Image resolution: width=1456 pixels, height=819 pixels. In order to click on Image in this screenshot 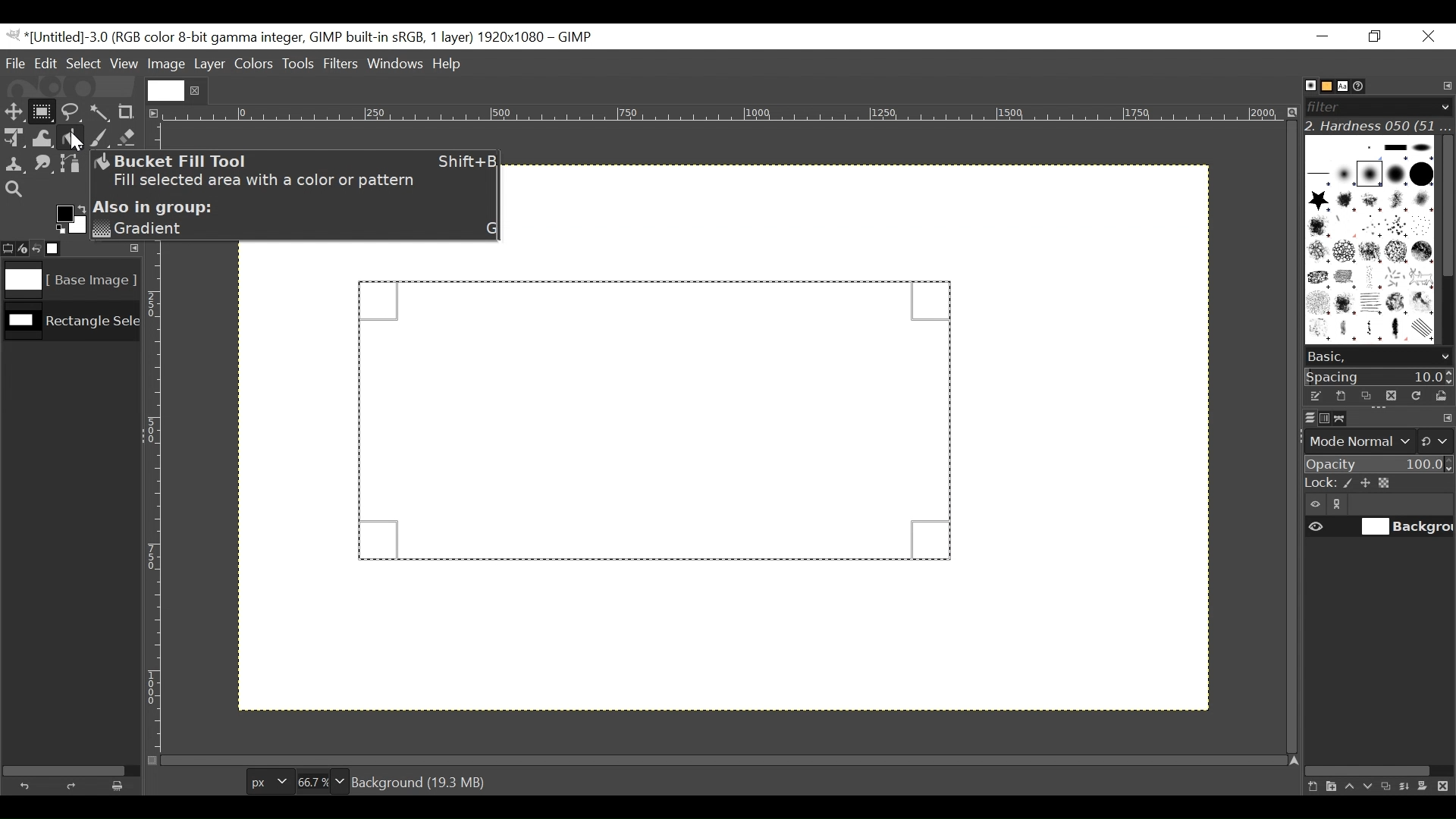, I will do `click(71, 325)`.